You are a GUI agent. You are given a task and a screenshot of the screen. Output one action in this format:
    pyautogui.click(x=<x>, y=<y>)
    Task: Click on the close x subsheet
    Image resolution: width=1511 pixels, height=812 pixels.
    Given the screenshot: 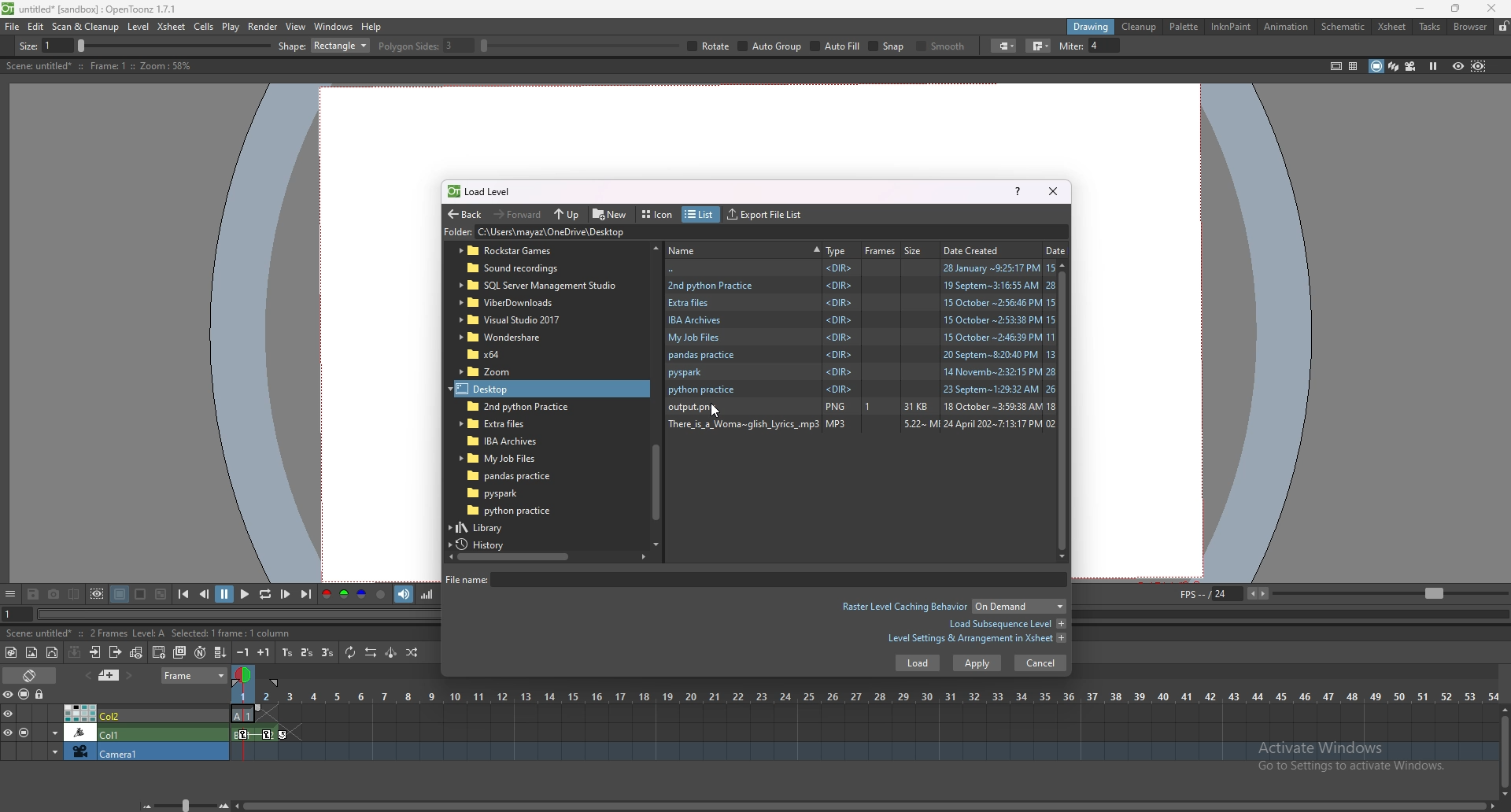 What is the action you would take?
    pyautogui.click(x=114, y=652)
    